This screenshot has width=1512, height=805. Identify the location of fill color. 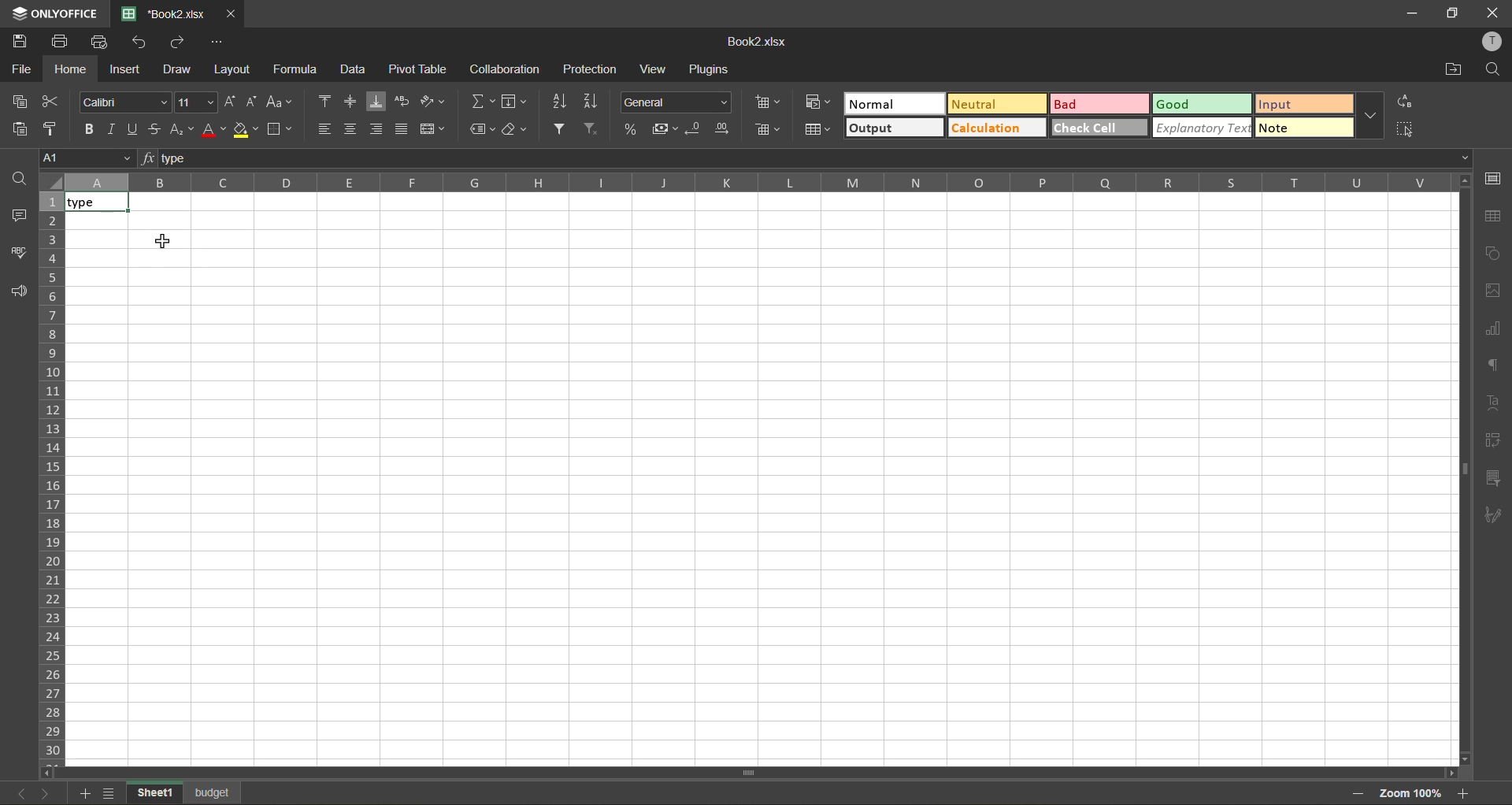
(246, 129).